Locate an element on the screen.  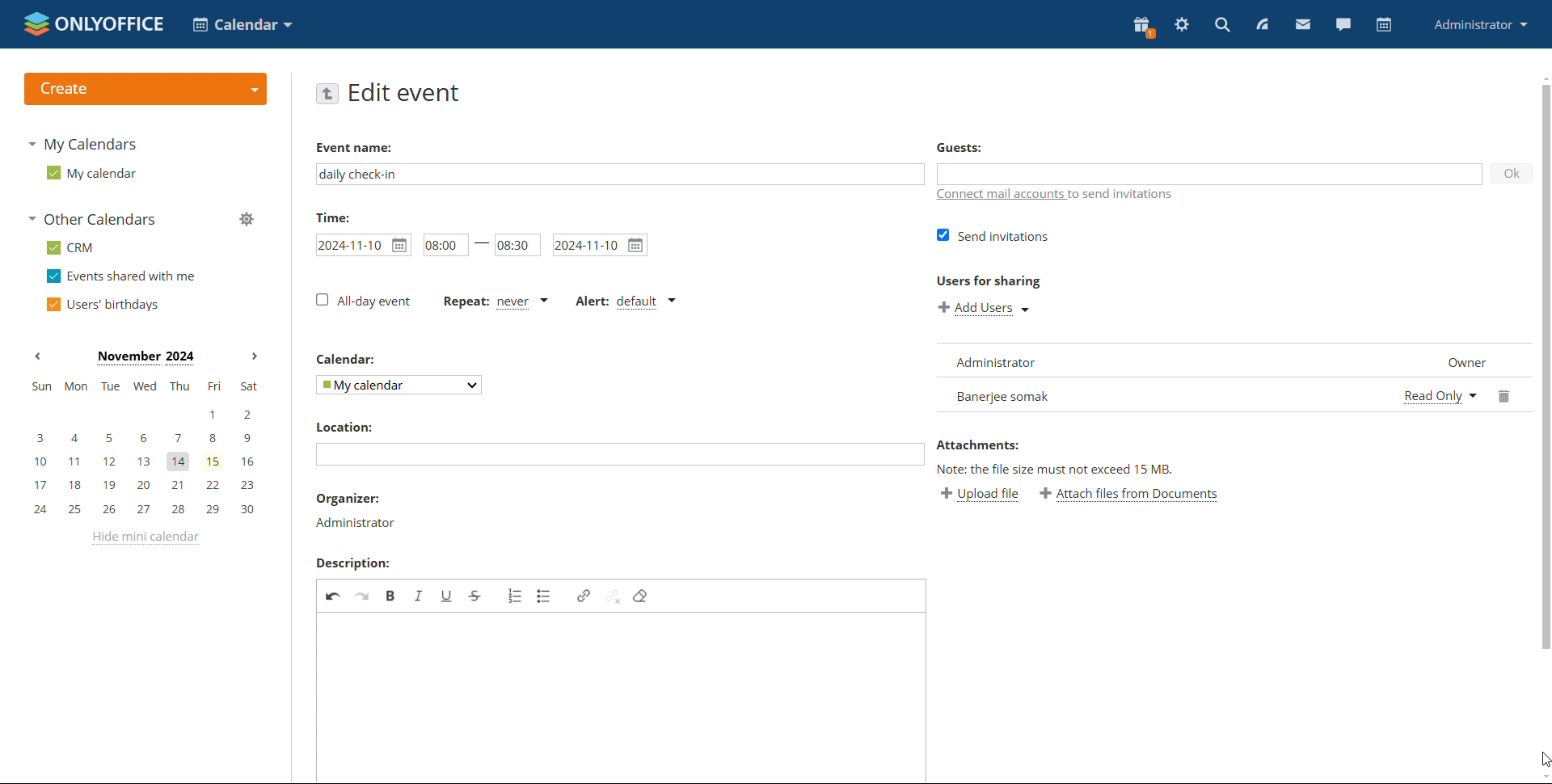
one person added is located at coordinates (1159, 397).